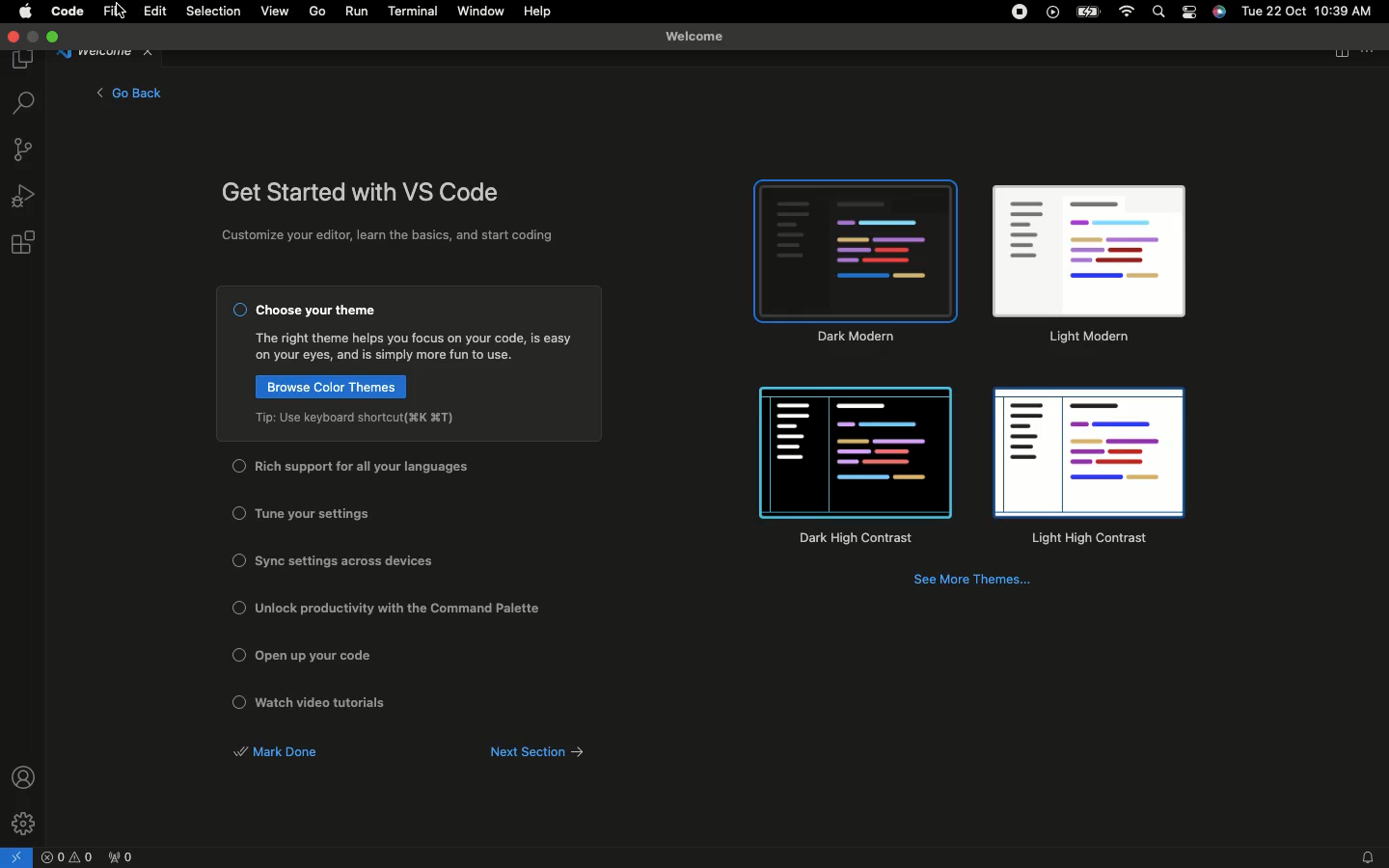  Describe the element at coordinates (25, 13) in the screenshot. I see `Apple logo` at that location.